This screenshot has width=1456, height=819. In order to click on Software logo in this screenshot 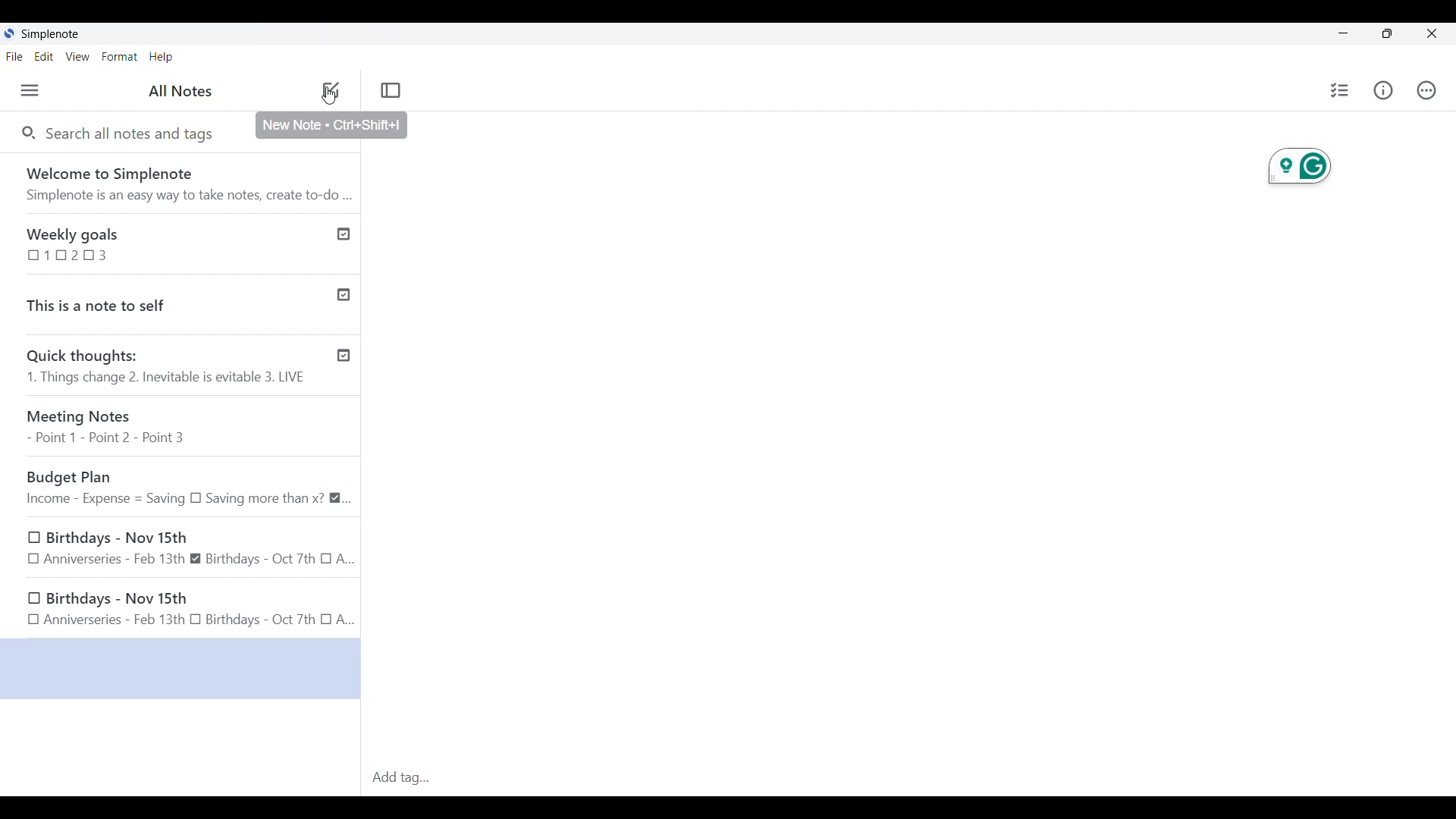, I will do `click(9, 33)`.